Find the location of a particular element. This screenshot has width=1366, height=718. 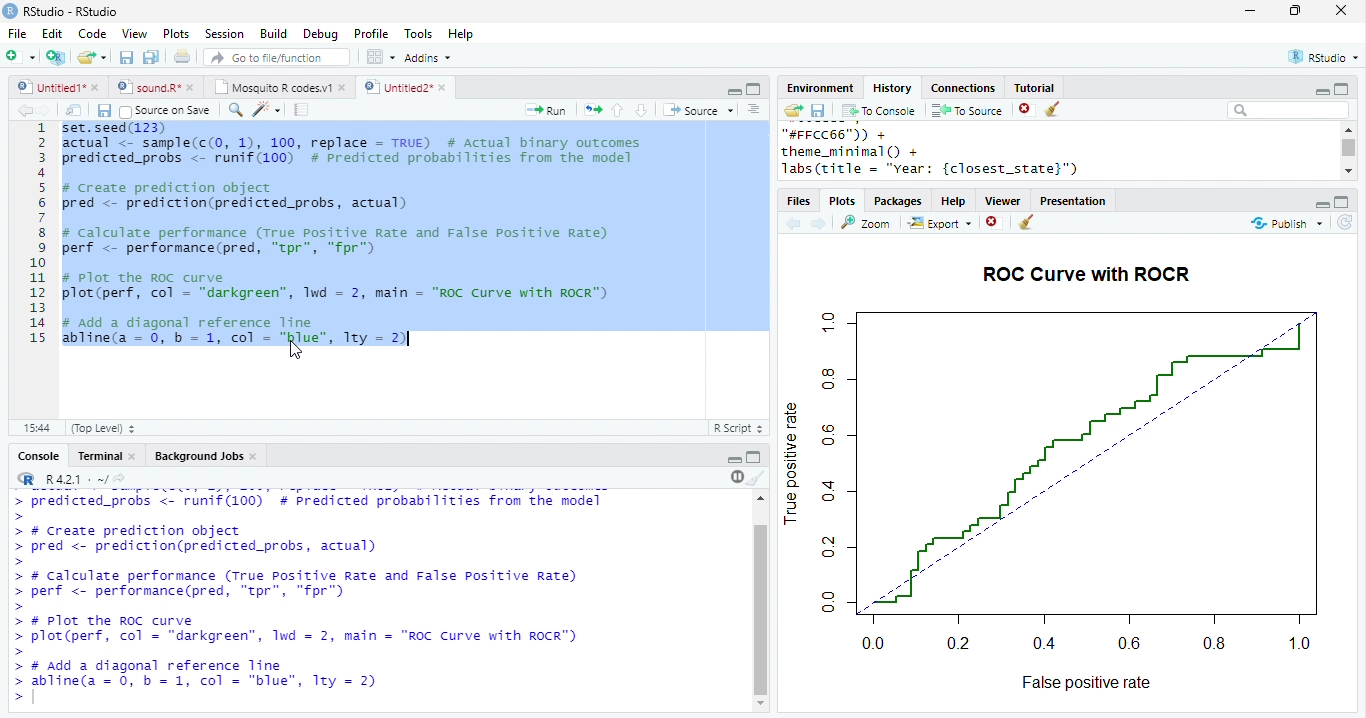

Code is located at coordinates (92, 33).